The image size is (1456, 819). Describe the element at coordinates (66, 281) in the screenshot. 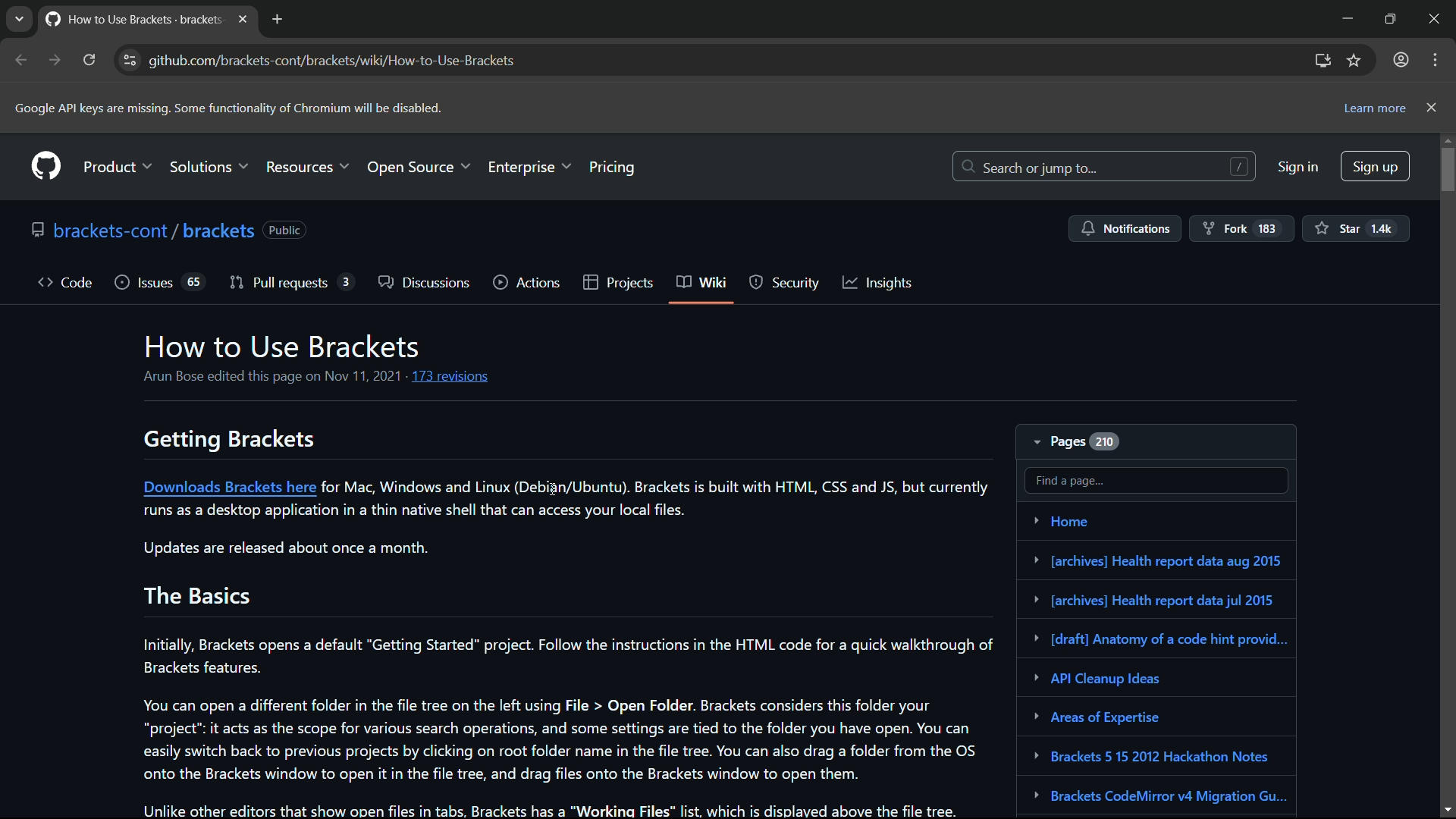

I see `code` at that location.